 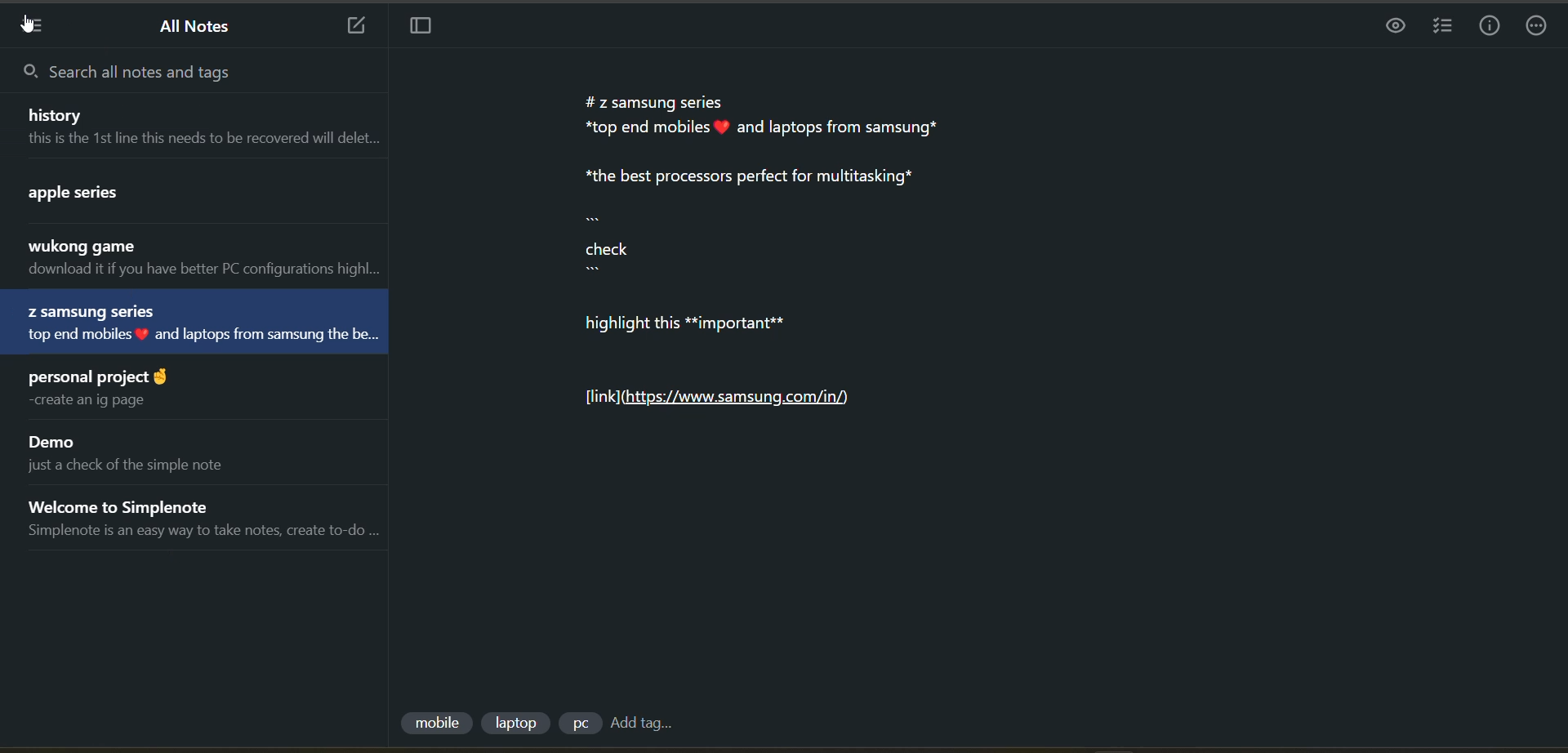 I want to click on note title and preview, so click(x=205, y=259).